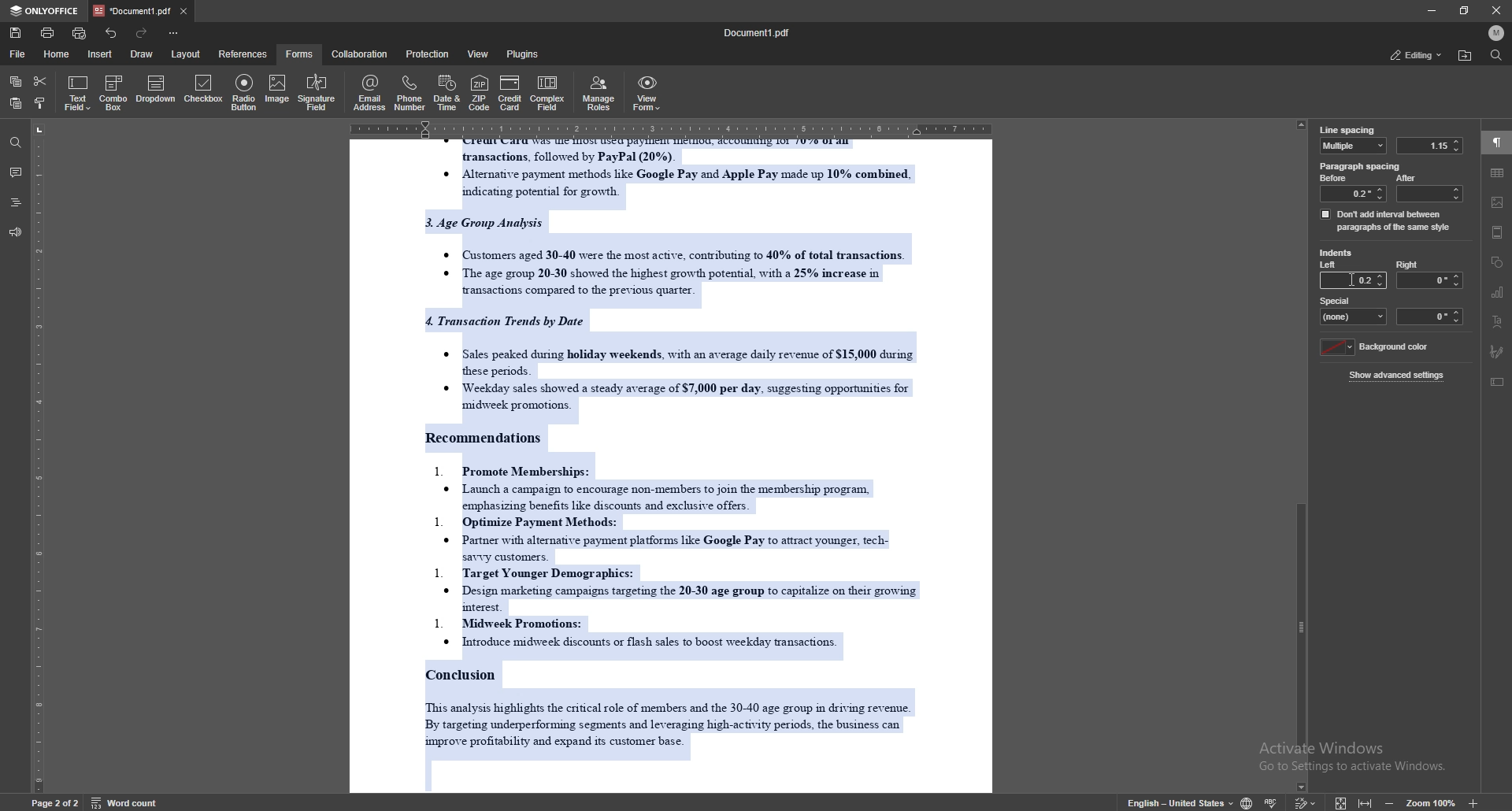 This screenshot has height=811, width=1512. I want to click on paste, so click(14, 104).